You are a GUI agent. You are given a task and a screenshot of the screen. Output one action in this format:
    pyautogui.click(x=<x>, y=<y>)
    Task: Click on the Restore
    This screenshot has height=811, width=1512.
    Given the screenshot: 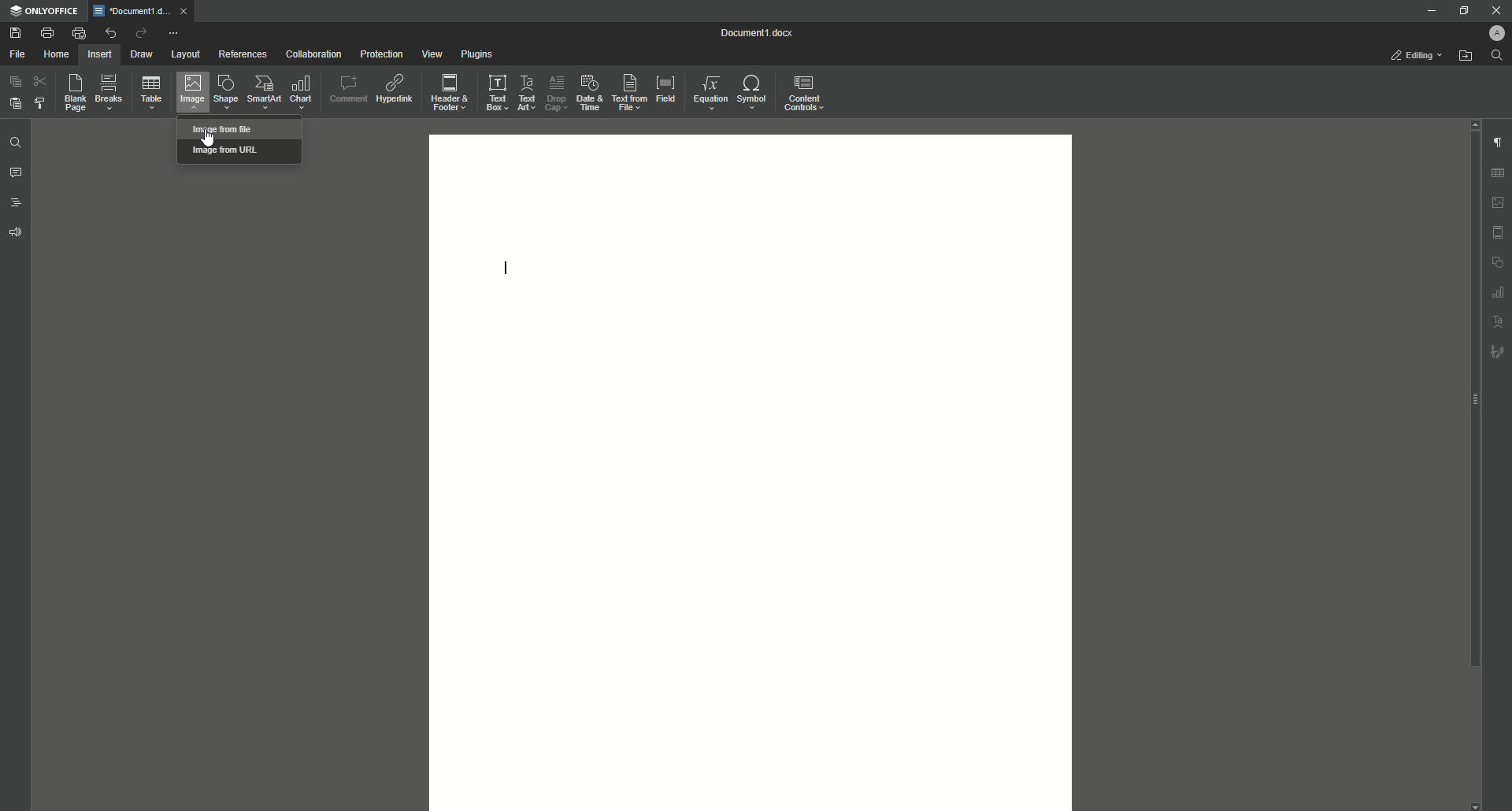 What is the action you would take?
    pyautogui.click(x=1462, y=9)
    